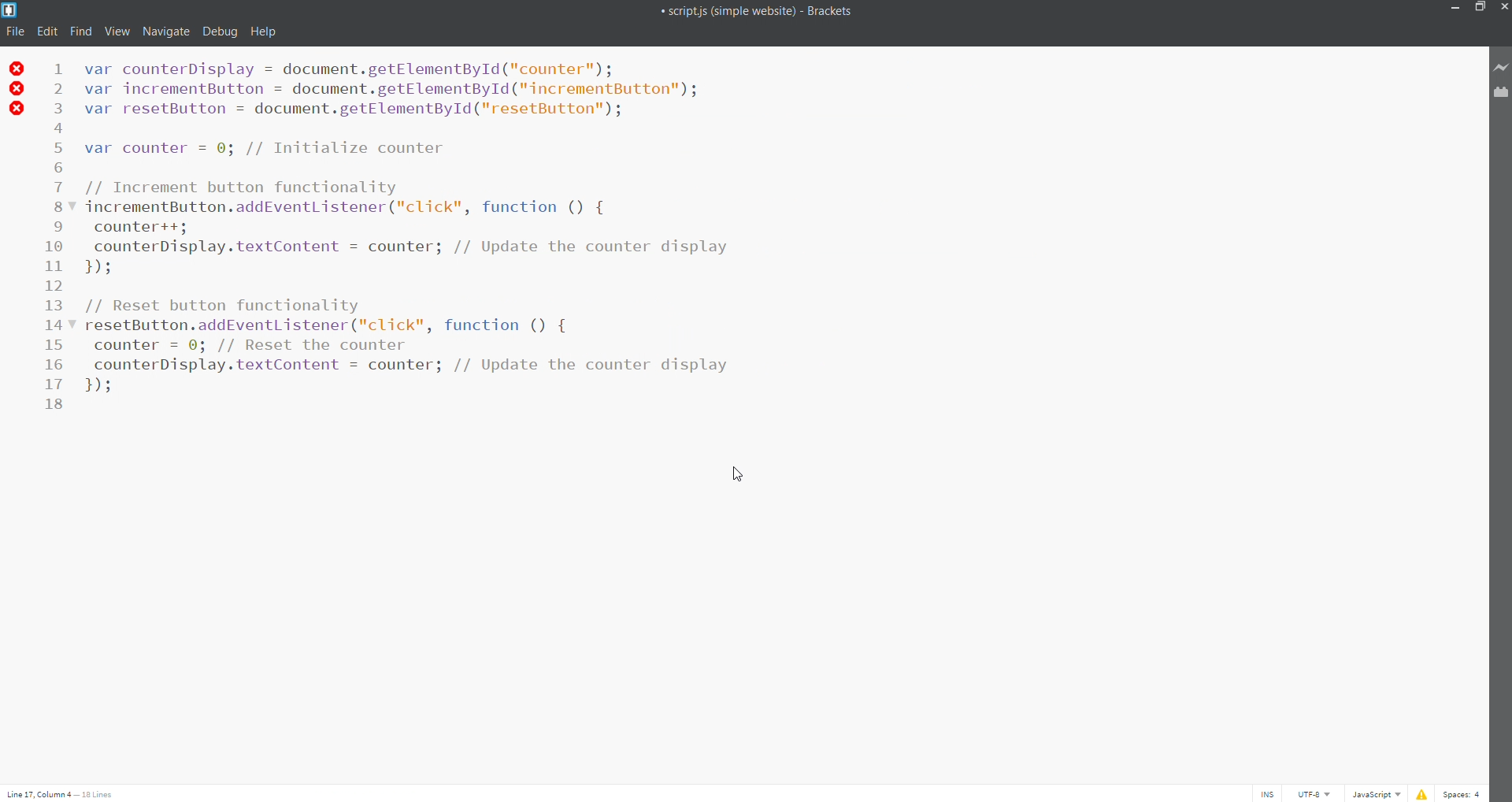 This screenshot has height=802, width=1512. What do you see at coordinates (13, 32) in the screenshot?
I see `file` at bounding box center [13, 32].